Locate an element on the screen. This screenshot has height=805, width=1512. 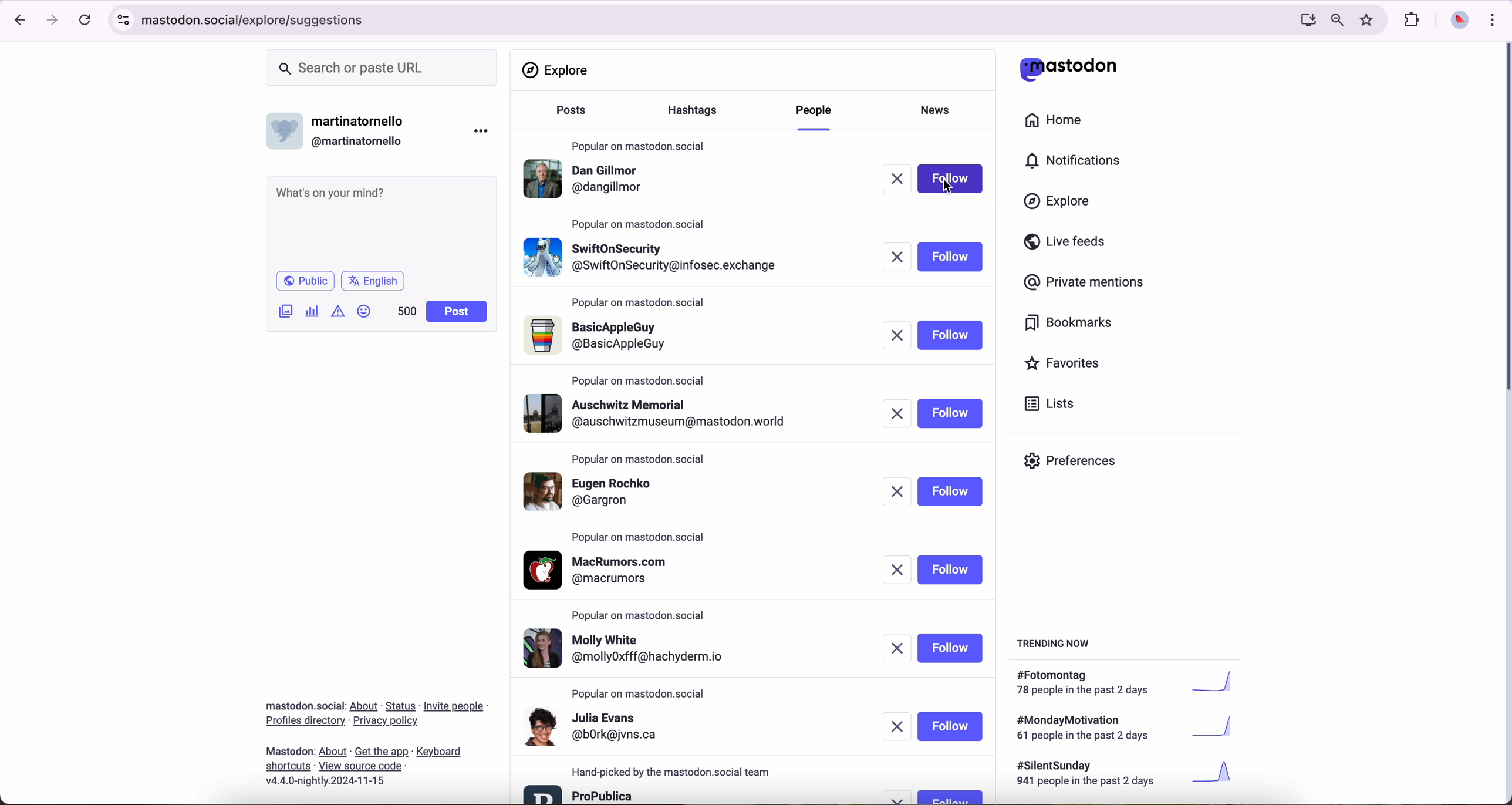
profile is located at coordinates (604, 570).